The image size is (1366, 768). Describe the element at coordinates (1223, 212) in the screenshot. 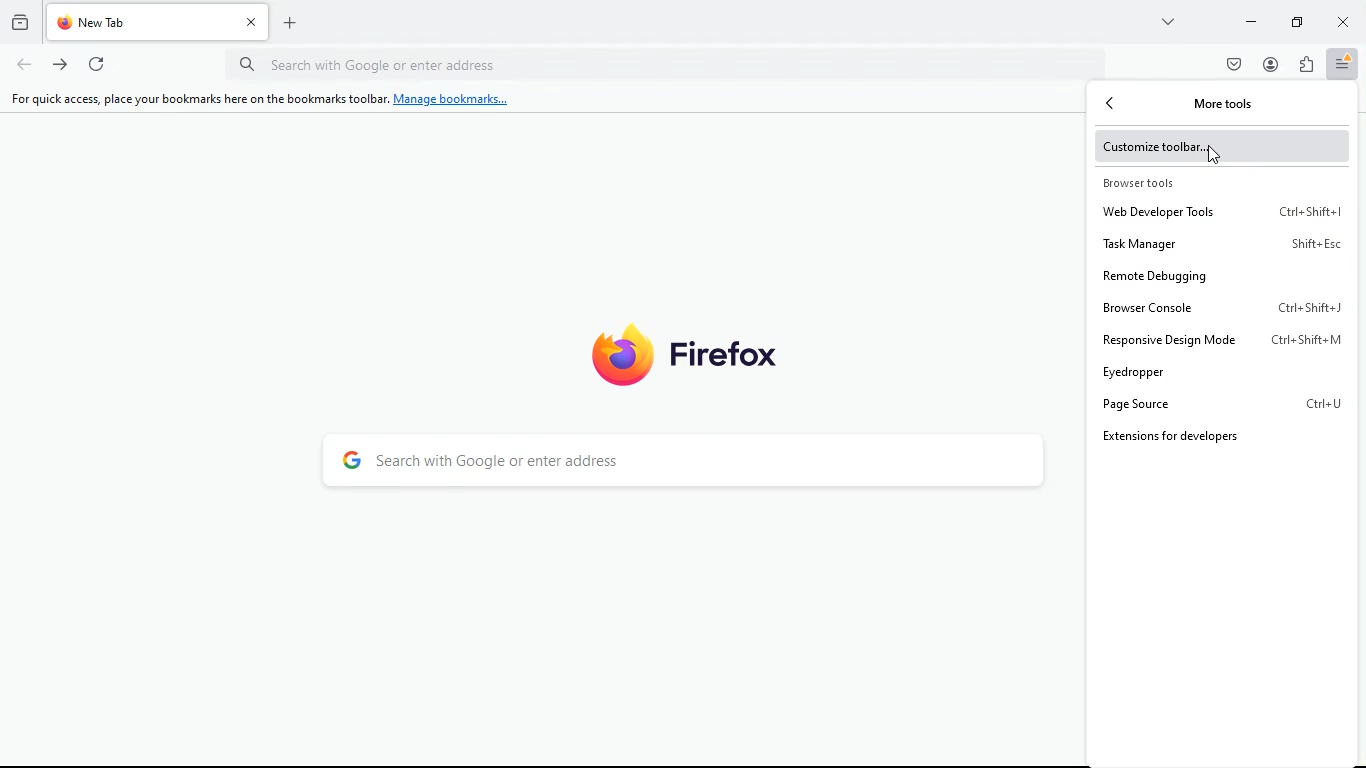

I see `web developer tools` at that location.